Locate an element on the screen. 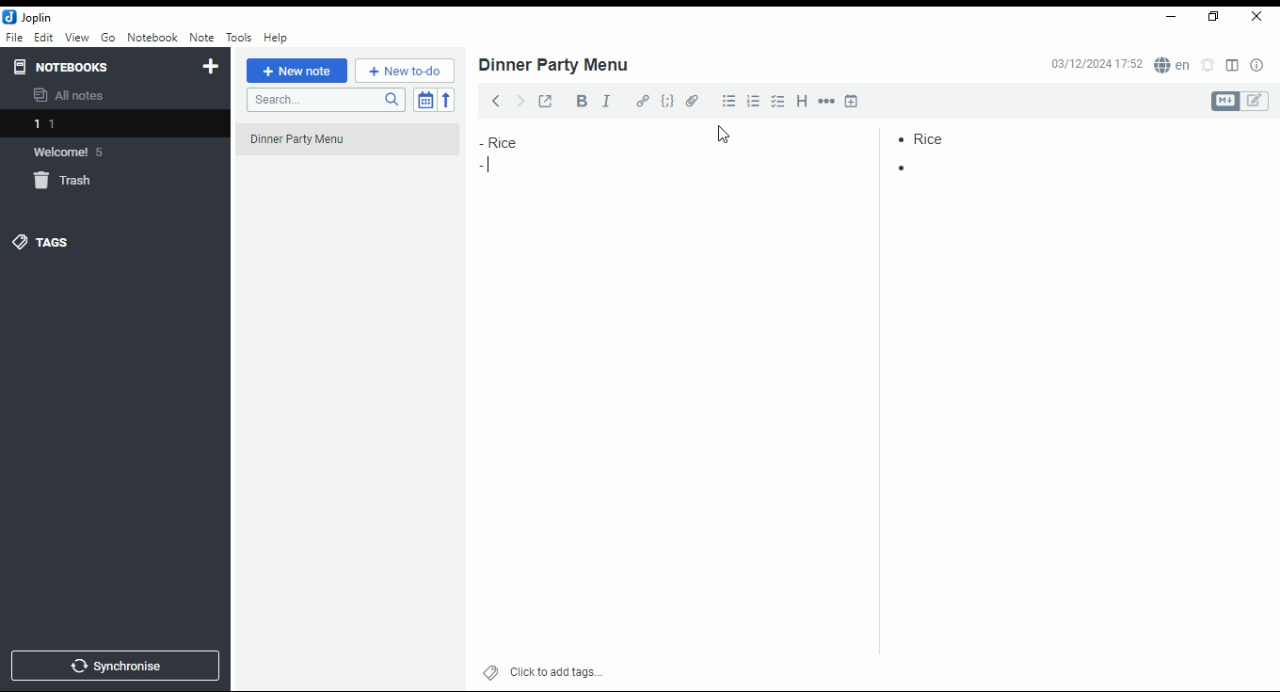 Image resolution: width=1280 pixels, height=692 pixels. hyperlink is located at coordinates (642, 102).